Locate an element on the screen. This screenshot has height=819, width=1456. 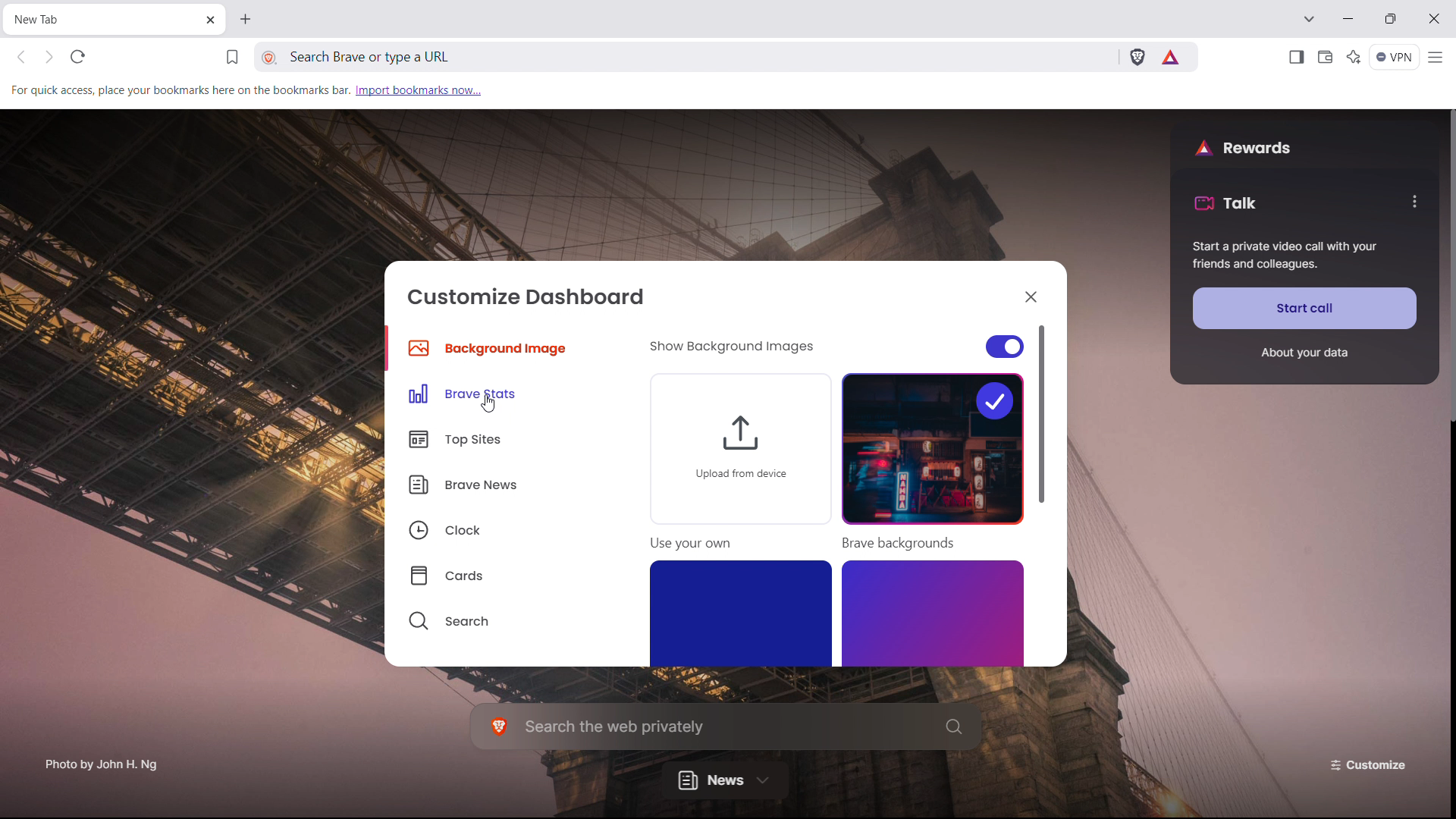
brave stats is located at coordinates (509, 395).